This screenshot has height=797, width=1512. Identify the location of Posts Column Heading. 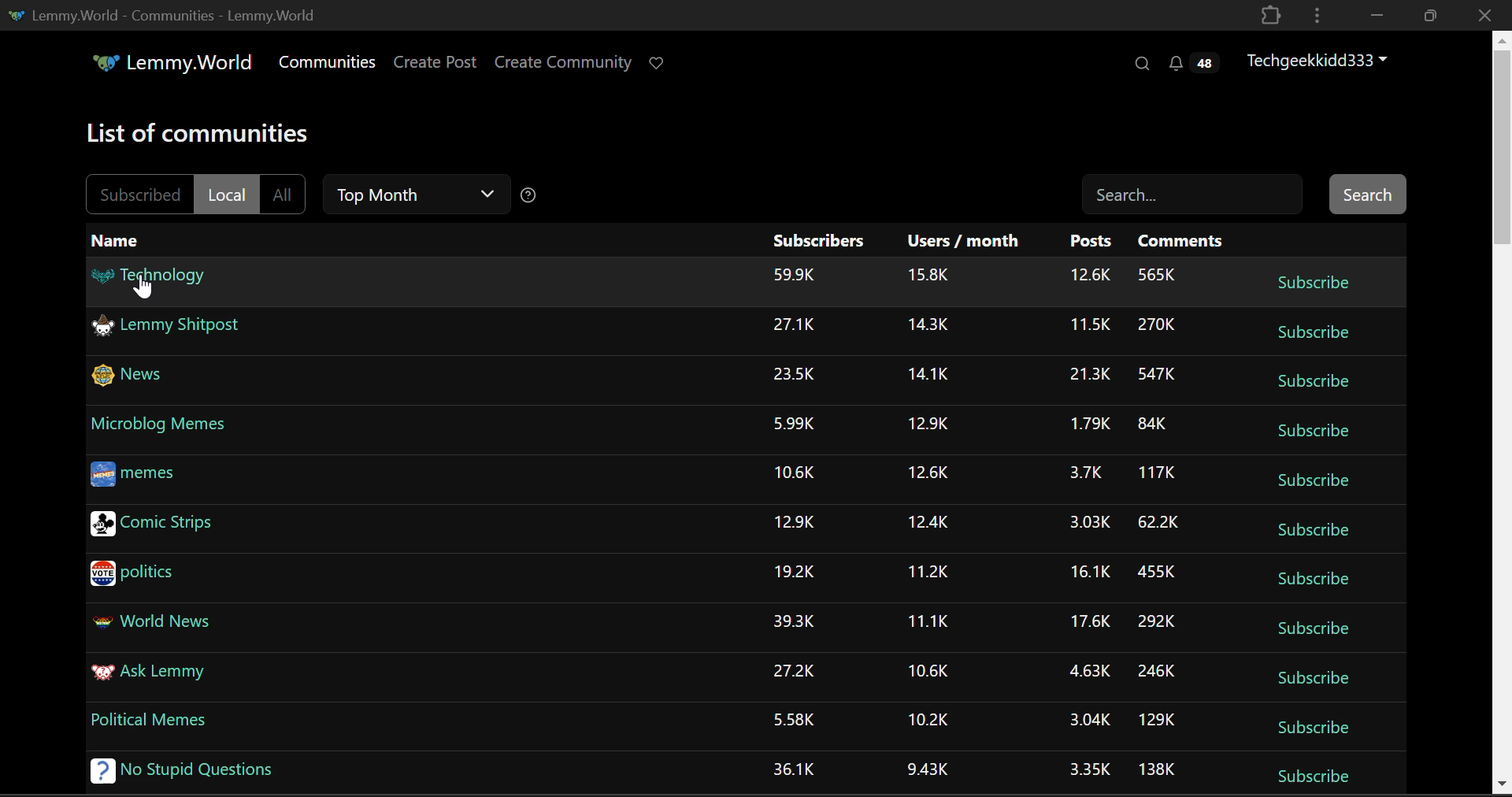
(1091, 241).